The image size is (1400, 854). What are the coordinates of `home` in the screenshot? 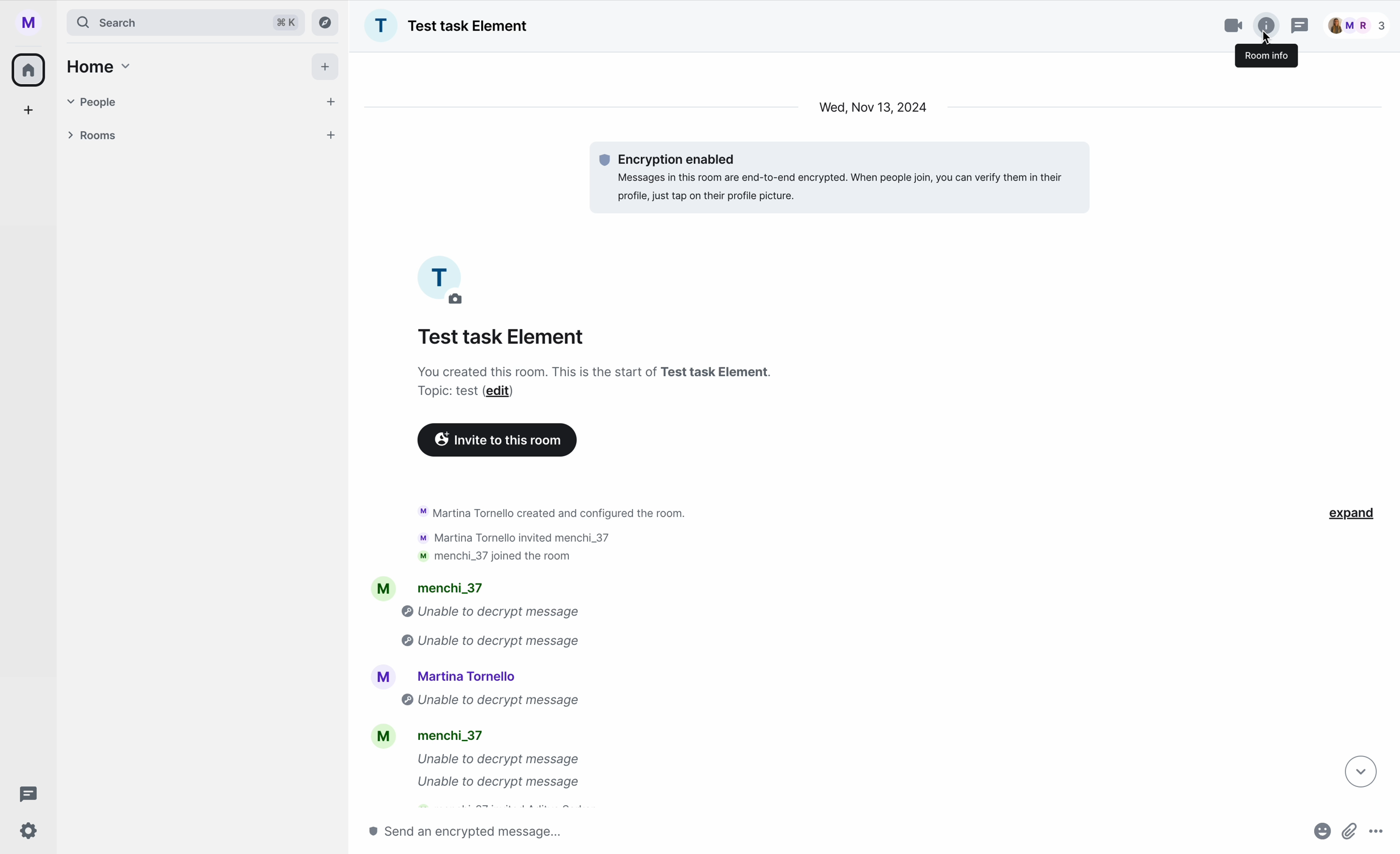 It's located at (101, 66).